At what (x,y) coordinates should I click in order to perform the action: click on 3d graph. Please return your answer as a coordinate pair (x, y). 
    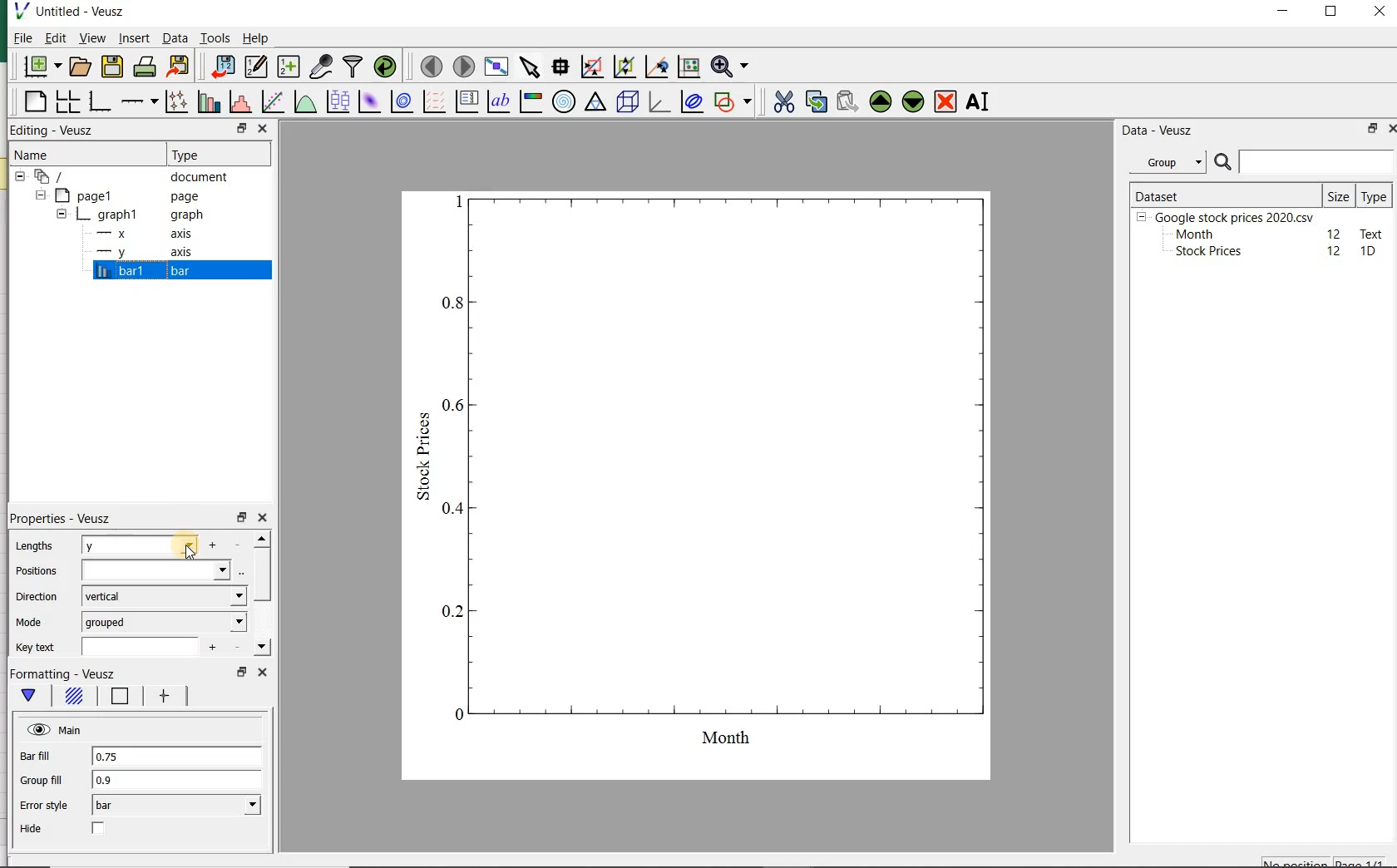
    Looking at the image, I should click on (659, 103).